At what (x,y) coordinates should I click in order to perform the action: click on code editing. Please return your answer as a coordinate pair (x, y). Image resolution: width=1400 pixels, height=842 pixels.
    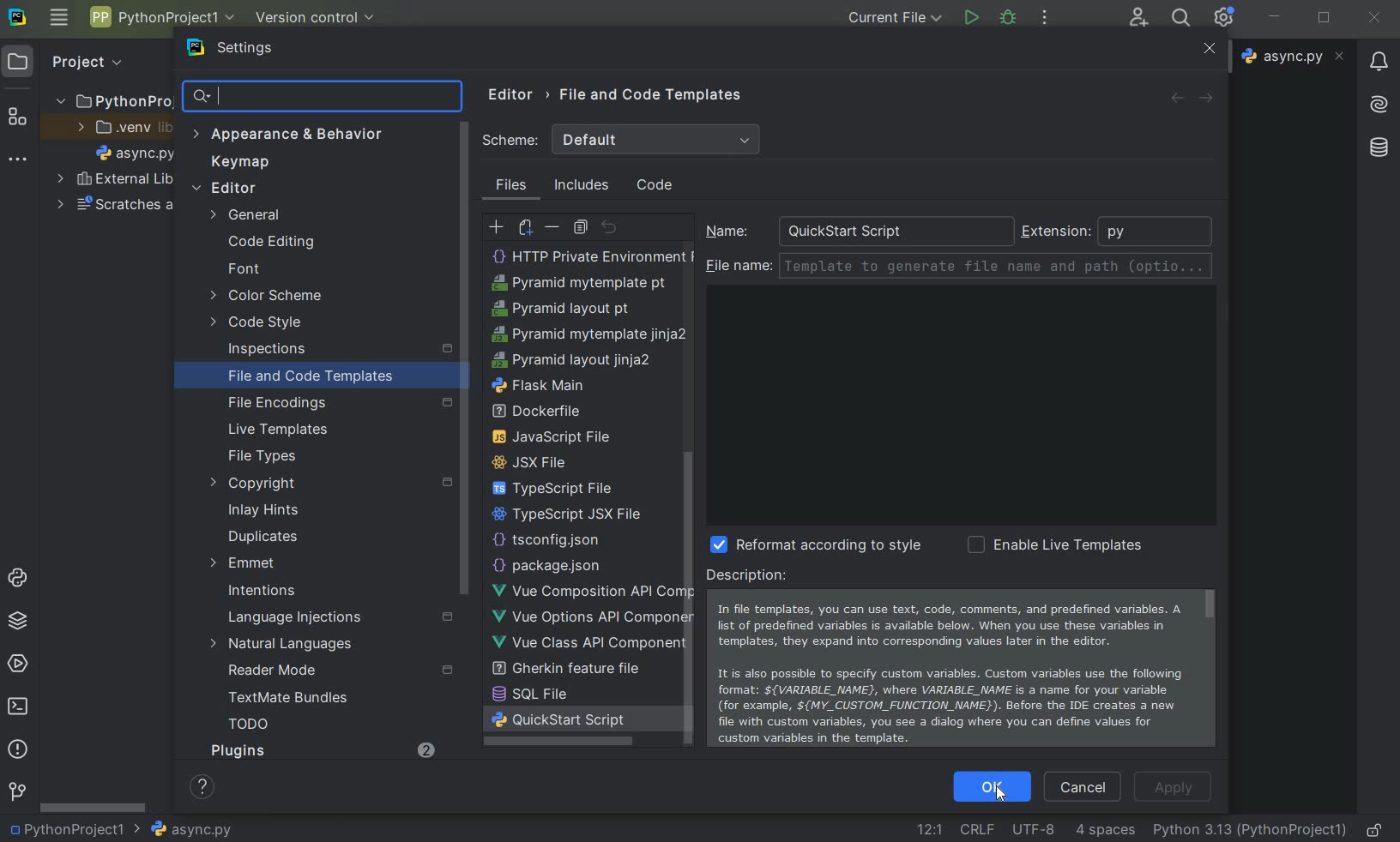
    Looking at the image, I should click on (267, 243).